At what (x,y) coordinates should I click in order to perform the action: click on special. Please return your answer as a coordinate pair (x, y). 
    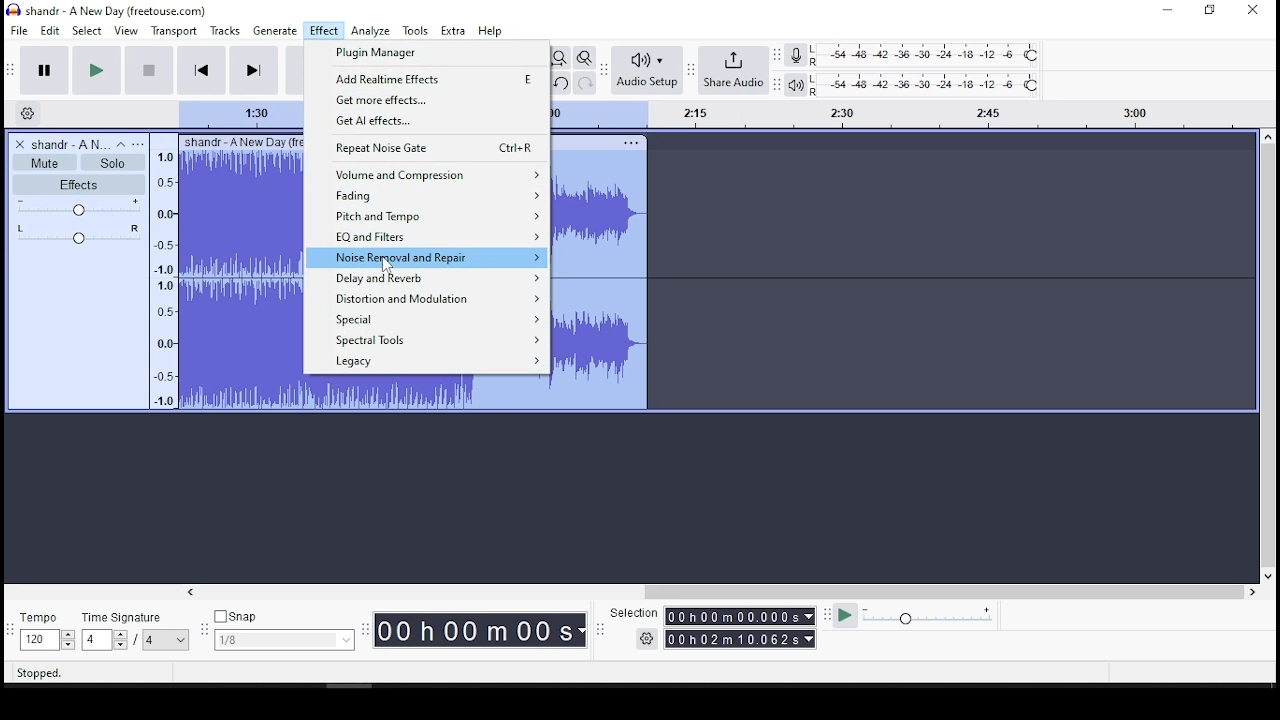
    Looking at the image, I should click on (429, 319).